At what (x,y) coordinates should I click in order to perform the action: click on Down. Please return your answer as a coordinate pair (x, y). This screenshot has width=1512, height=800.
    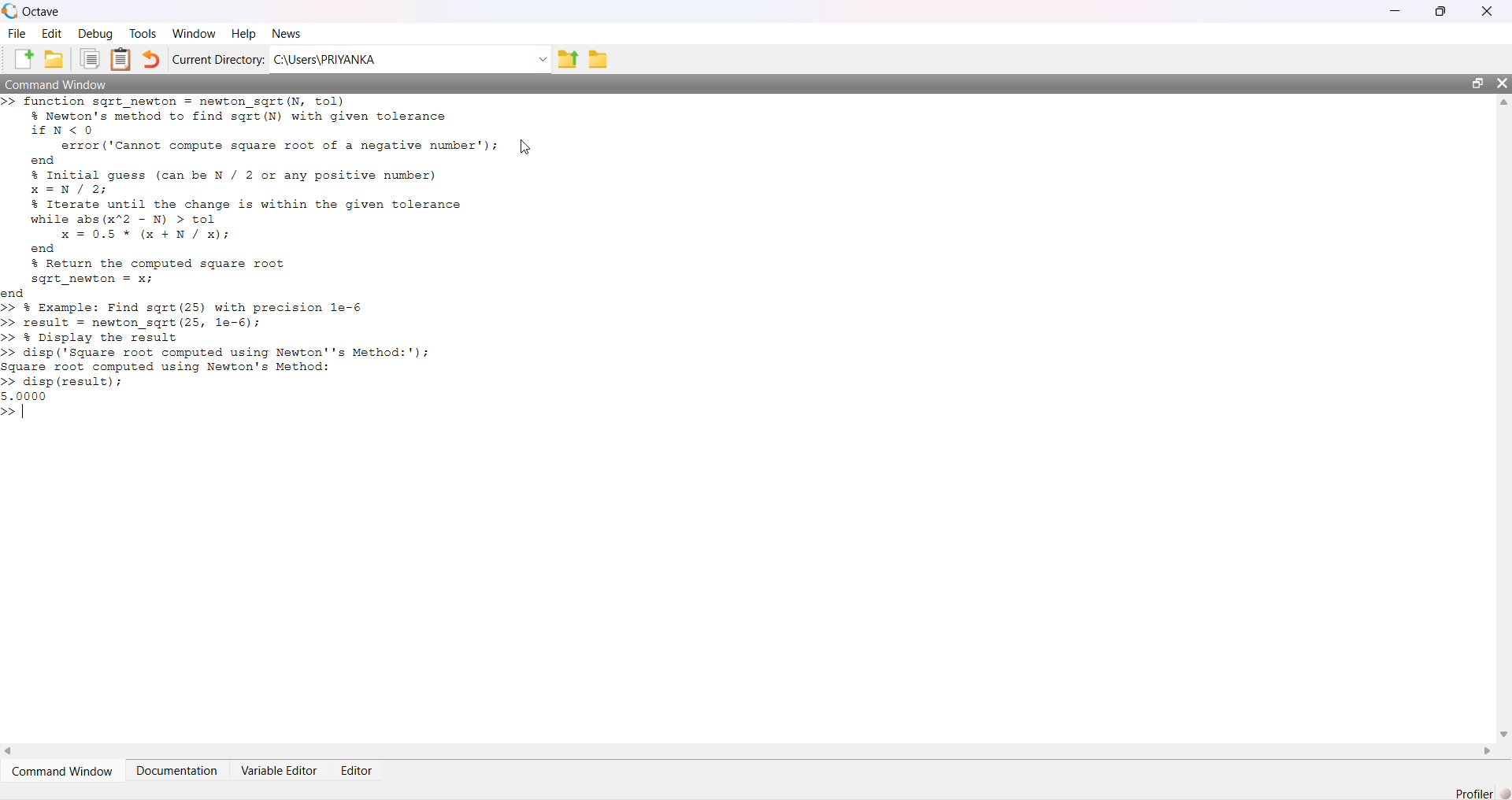
    Looking at the image, I should click on (1503, 734).